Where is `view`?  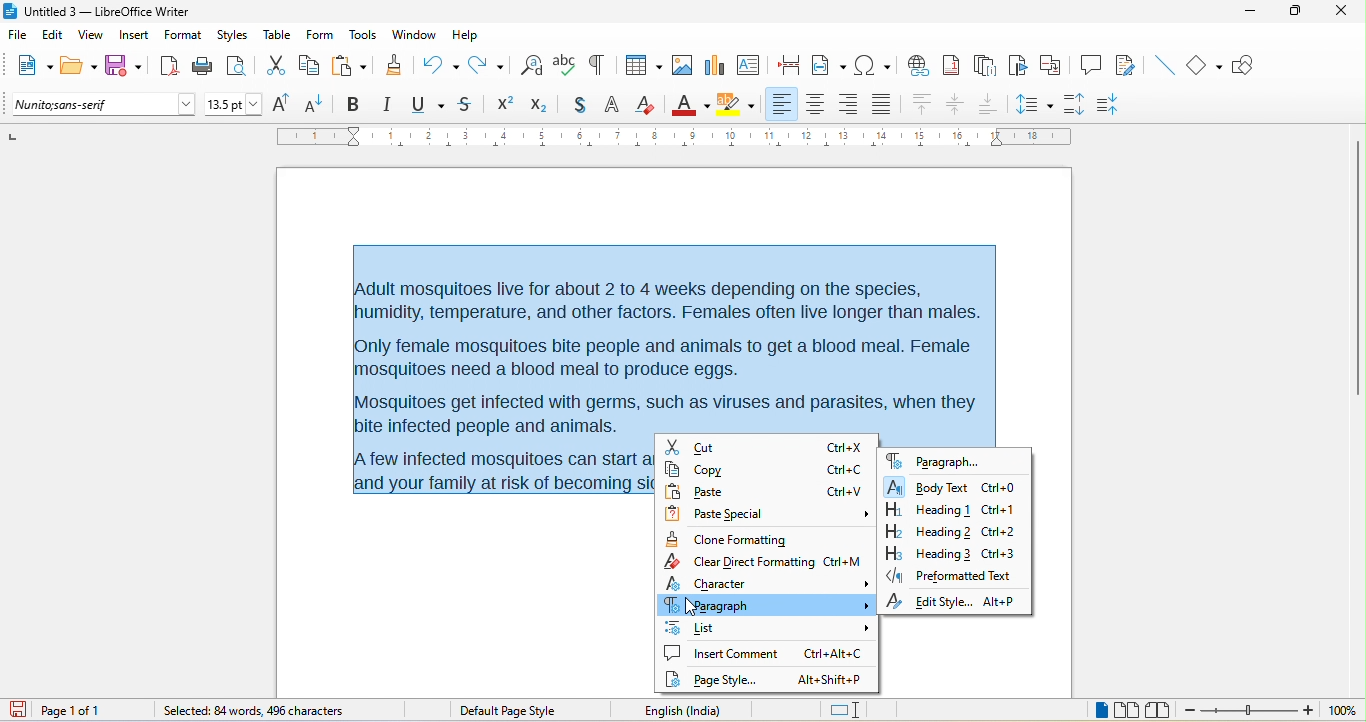
view is located at coordinates (91, 38).